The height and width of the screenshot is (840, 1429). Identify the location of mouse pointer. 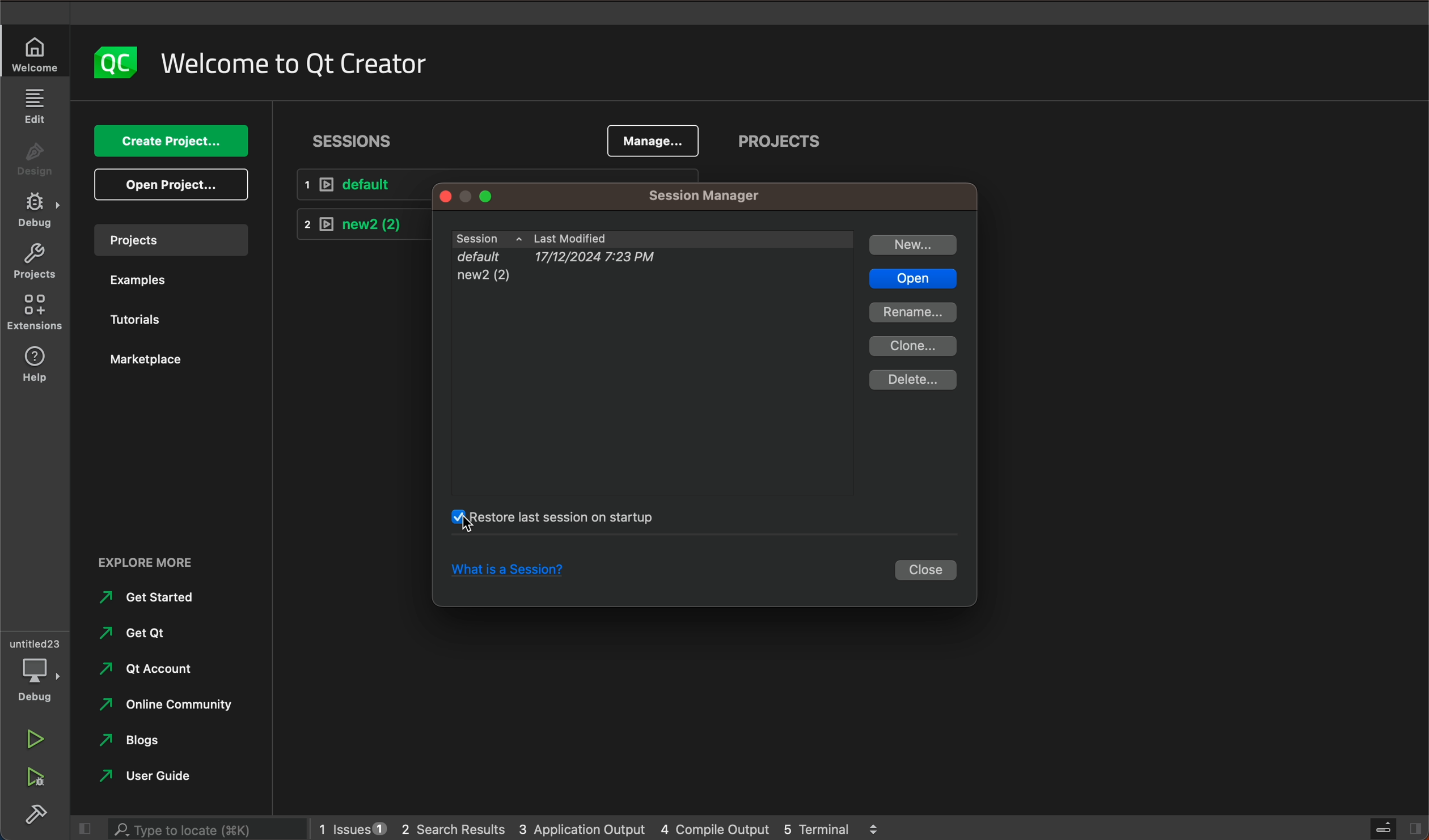
(473, 531).